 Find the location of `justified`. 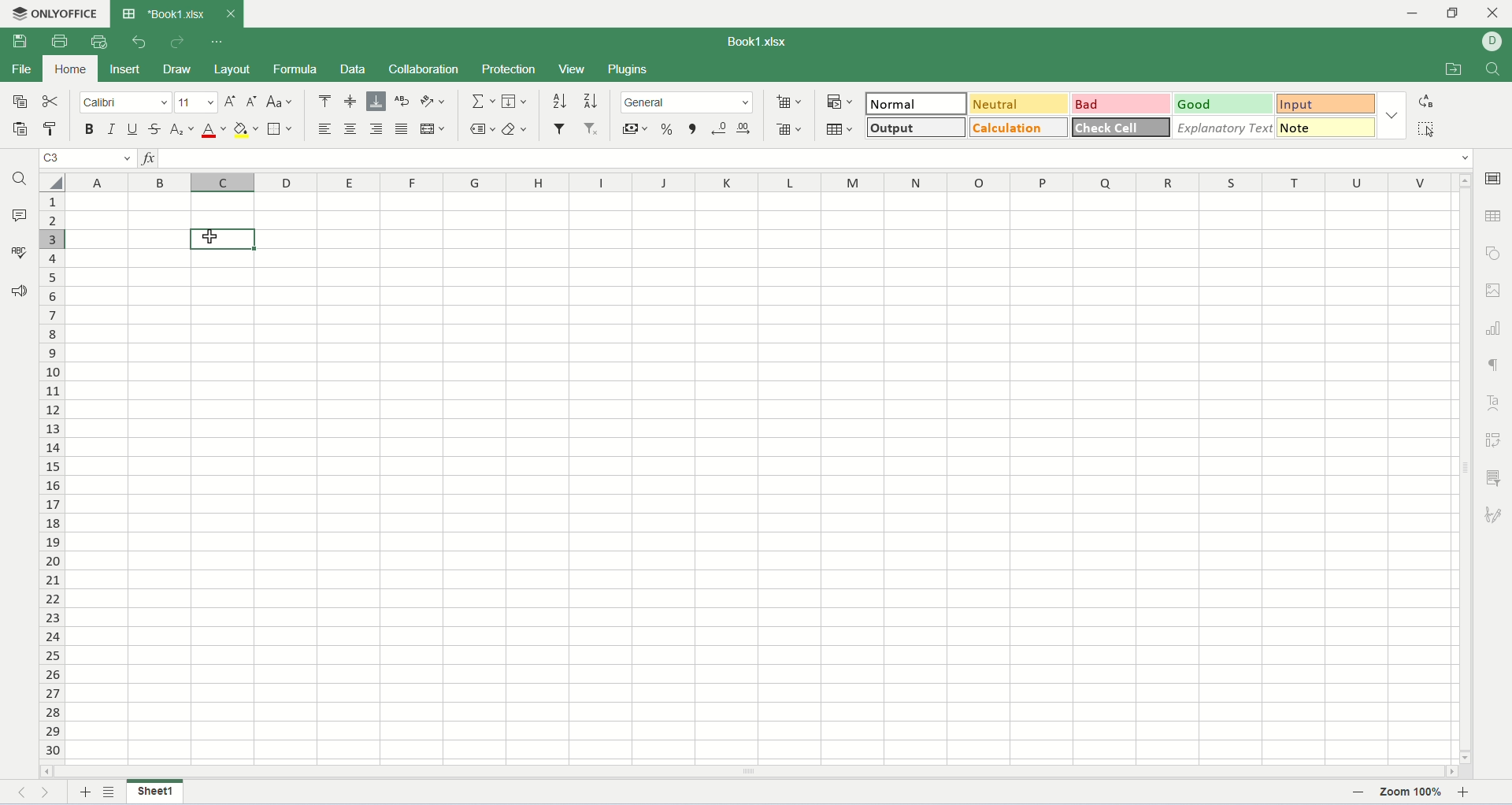

justified is located at coordinates (402, 129).